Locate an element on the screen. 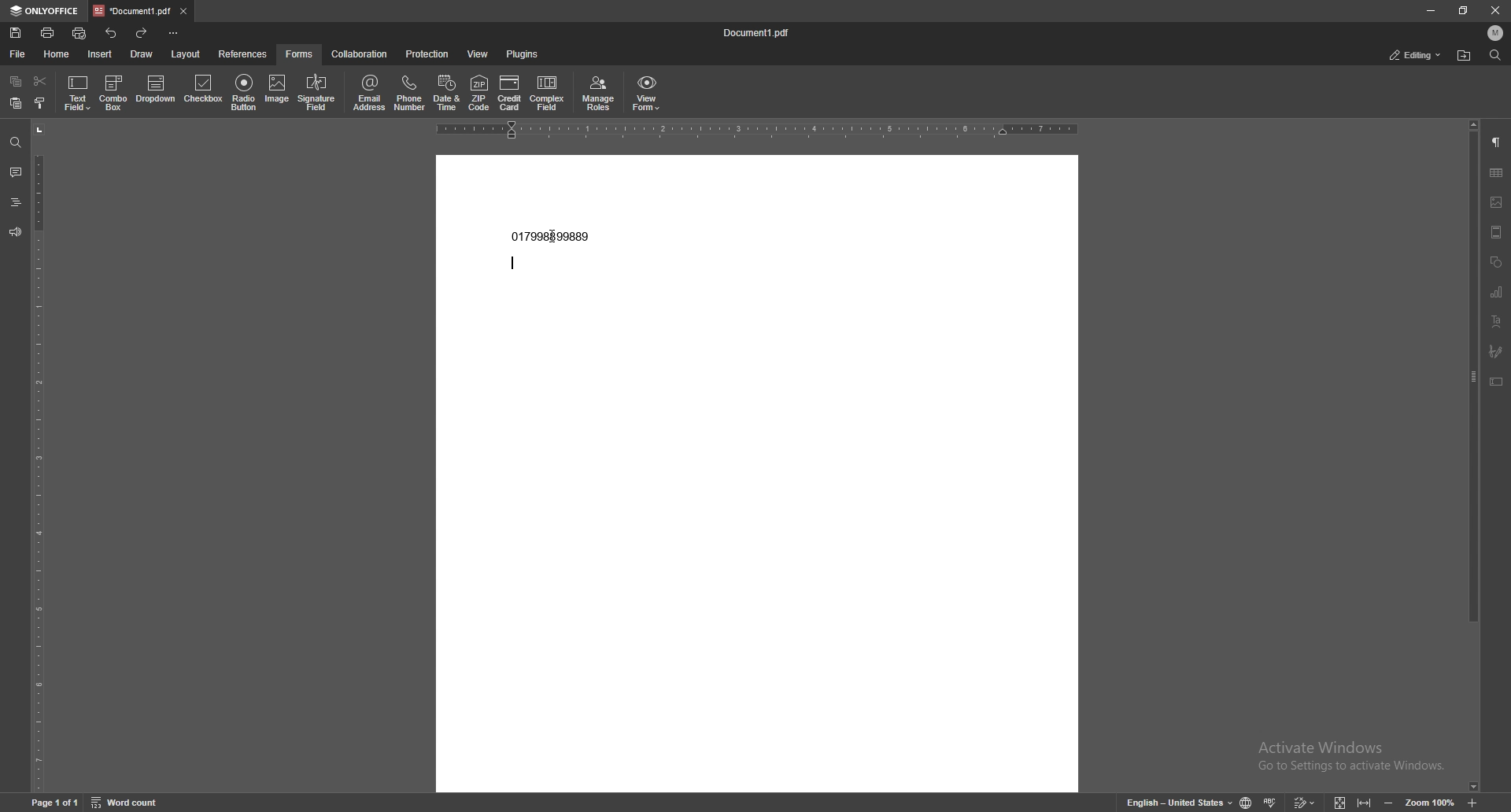 Image resolution: width=1511 pixels, height=812 pixels. find is located at coordinates (1496, 56).